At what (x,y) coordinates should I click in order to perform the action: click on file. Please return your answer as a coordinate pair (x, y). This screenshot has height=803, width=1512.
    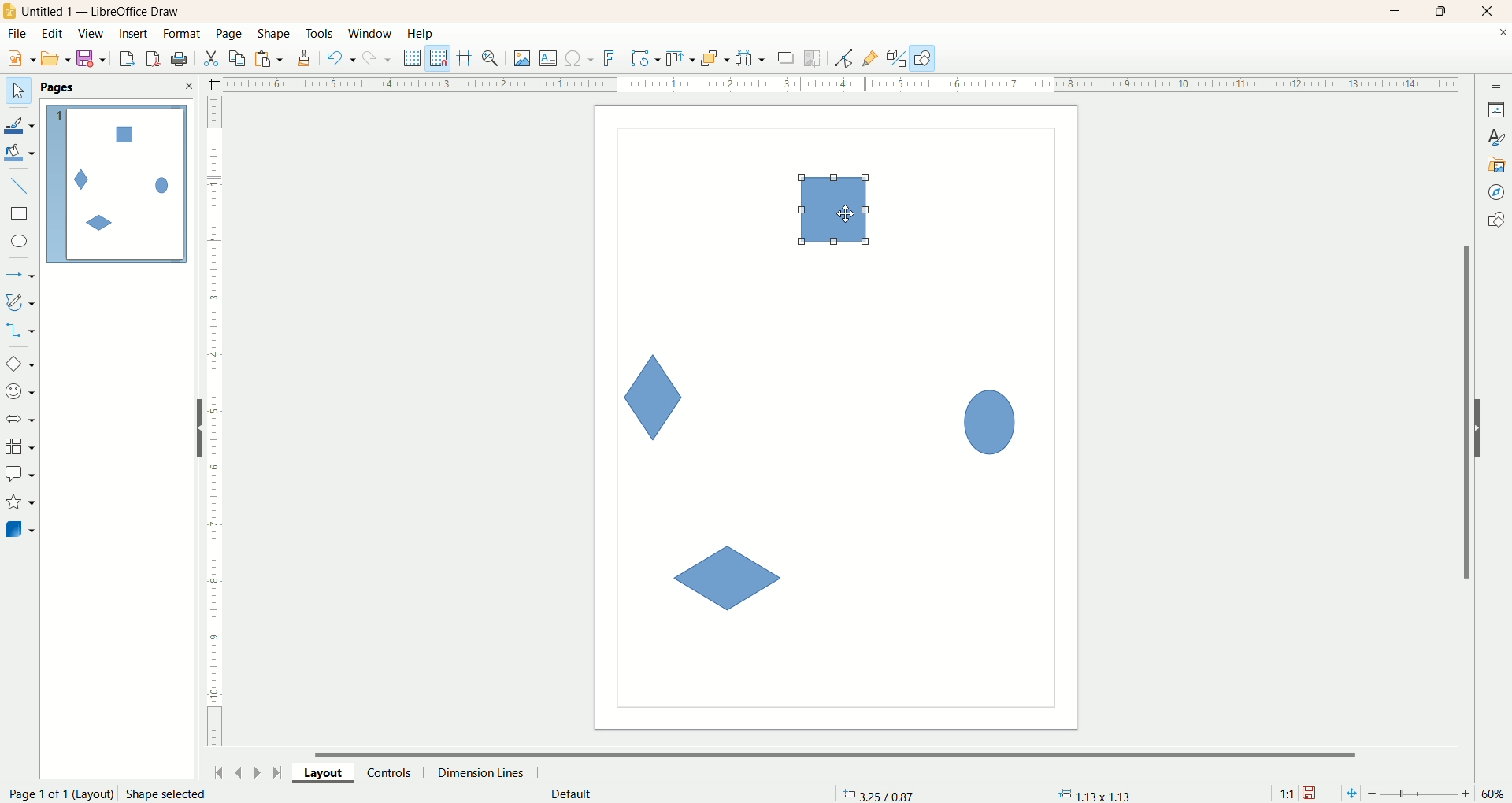
    Looking at the image, I should click on (20, 34).